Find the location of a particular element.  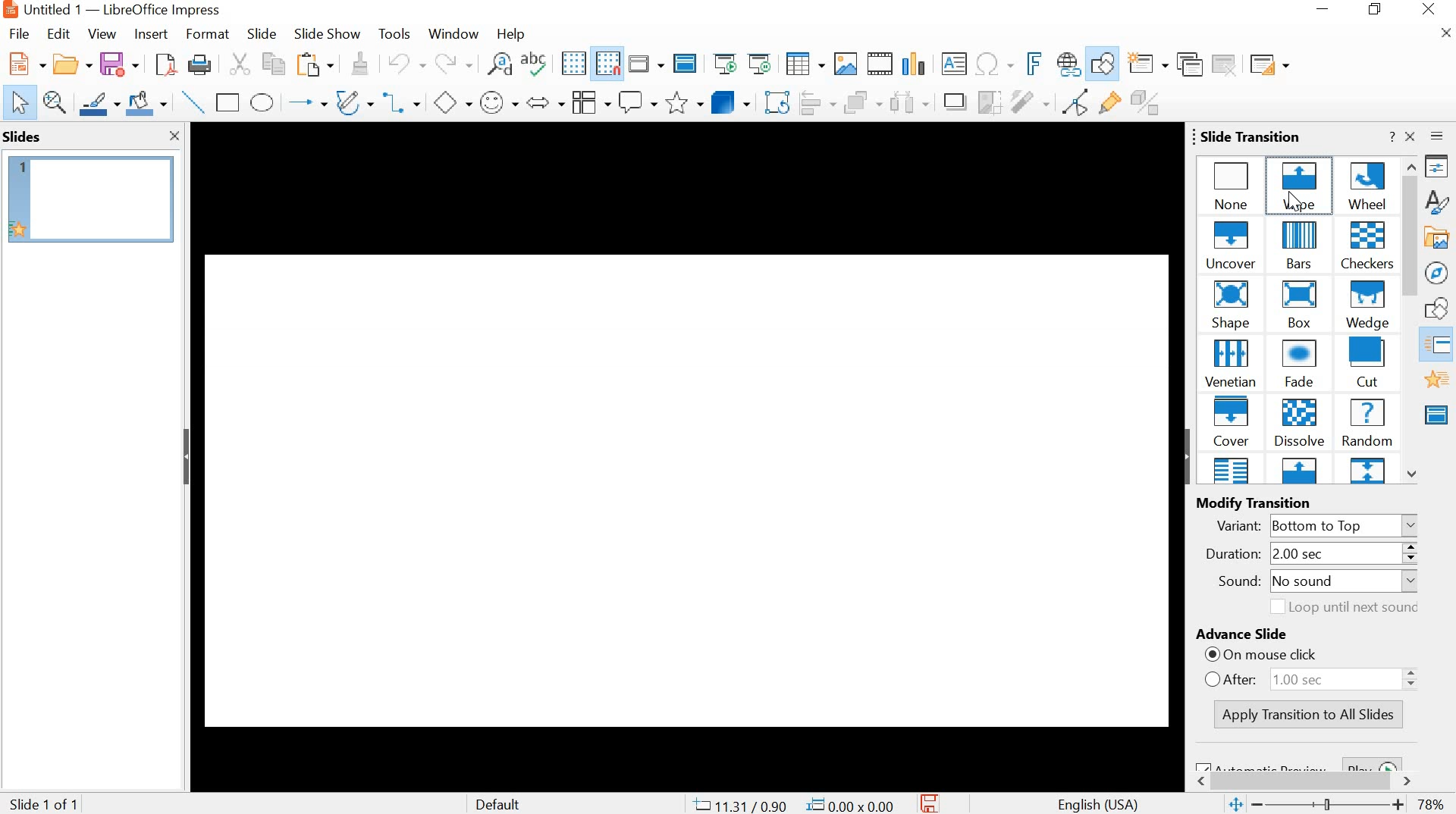

EDIT is located at coordinates (59, 33).